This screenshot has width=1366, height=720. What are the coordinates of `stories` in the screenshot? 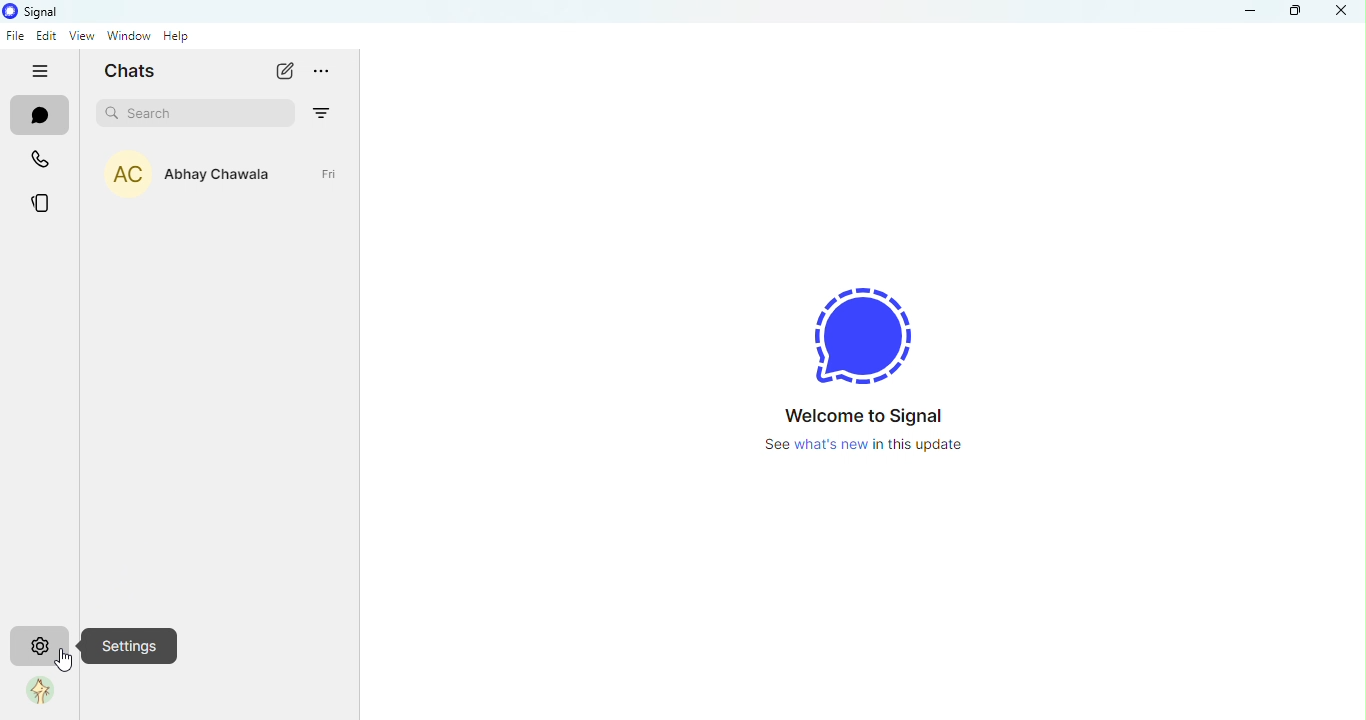 It's located at (41, 202).